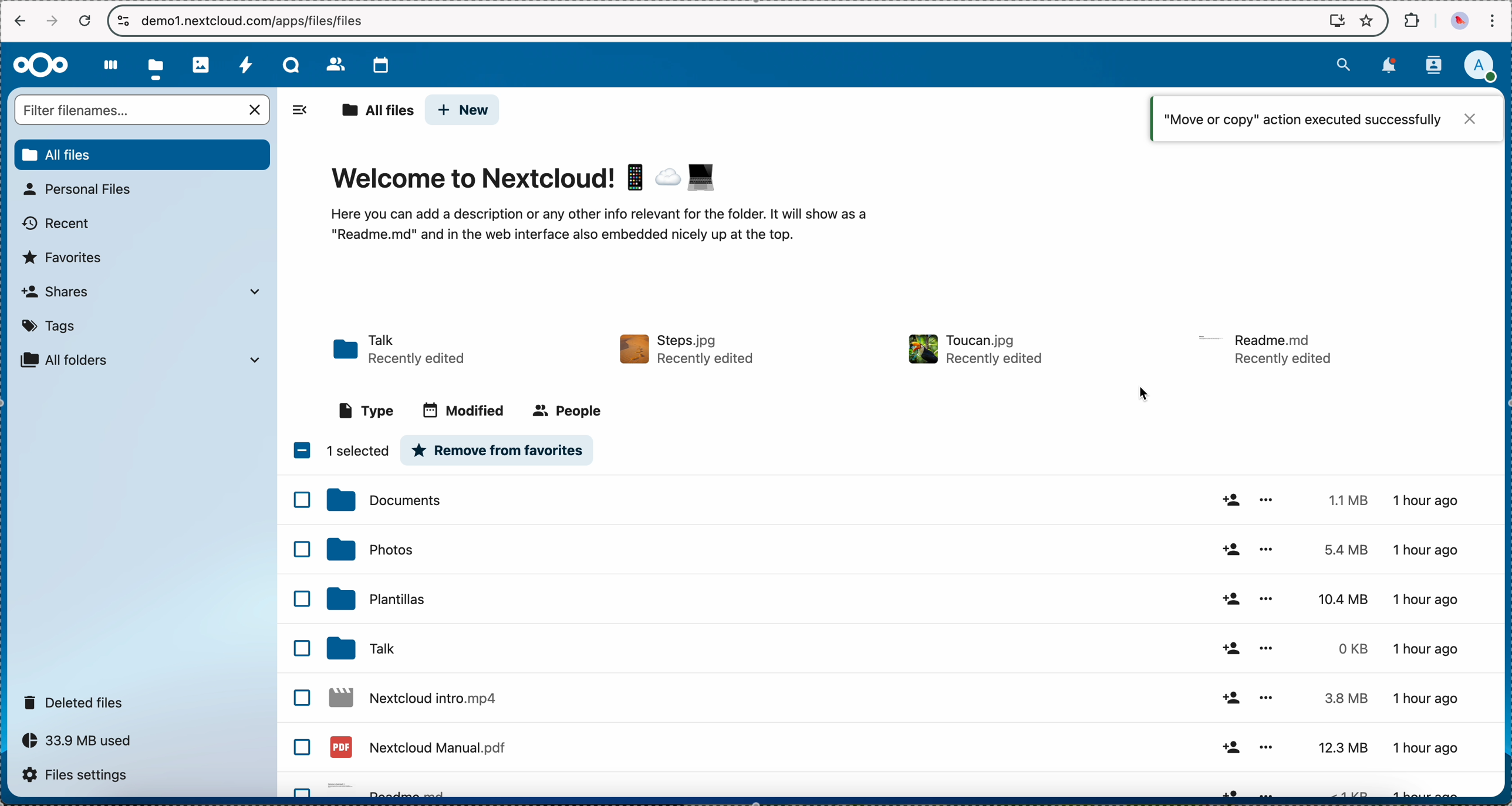 The image size is (1512, 806). Describe the element at coordinates (900, 750) in the screenshot. I see `file` at that location.